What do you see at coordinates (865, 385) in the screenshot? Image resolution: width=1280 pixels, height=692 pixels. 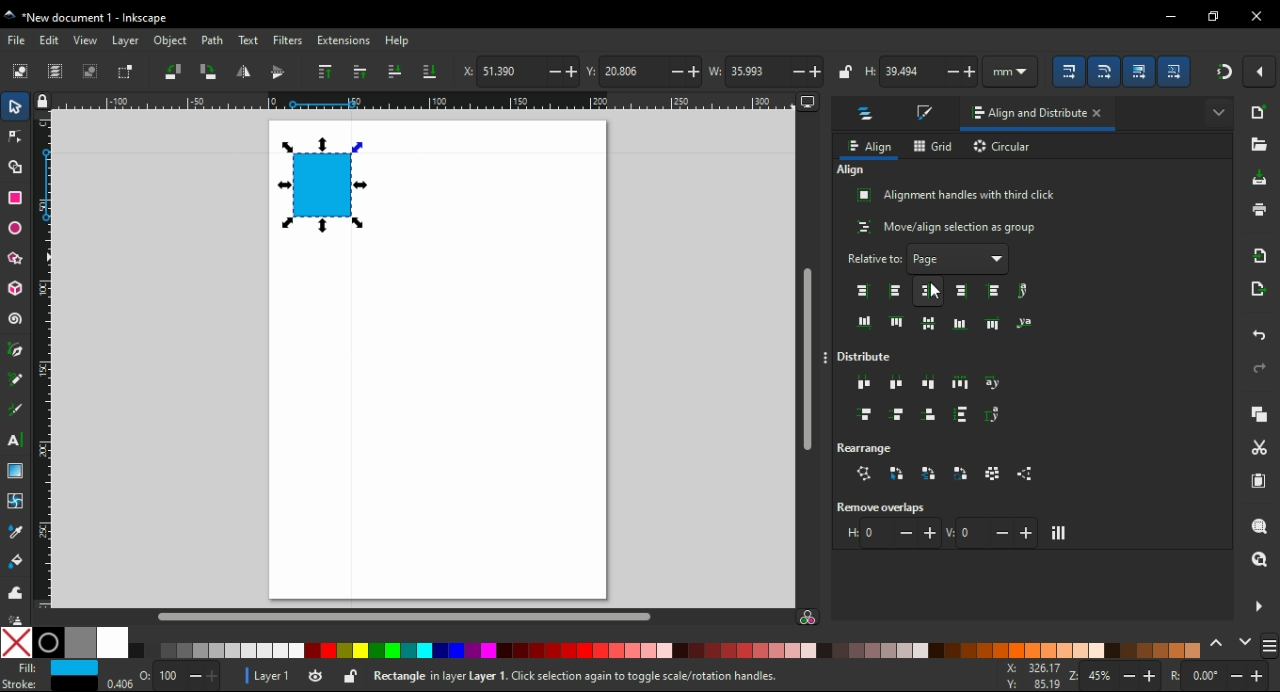 I see `distribute horizontally with even spacing between left edges` at bounding box center [865, 385].